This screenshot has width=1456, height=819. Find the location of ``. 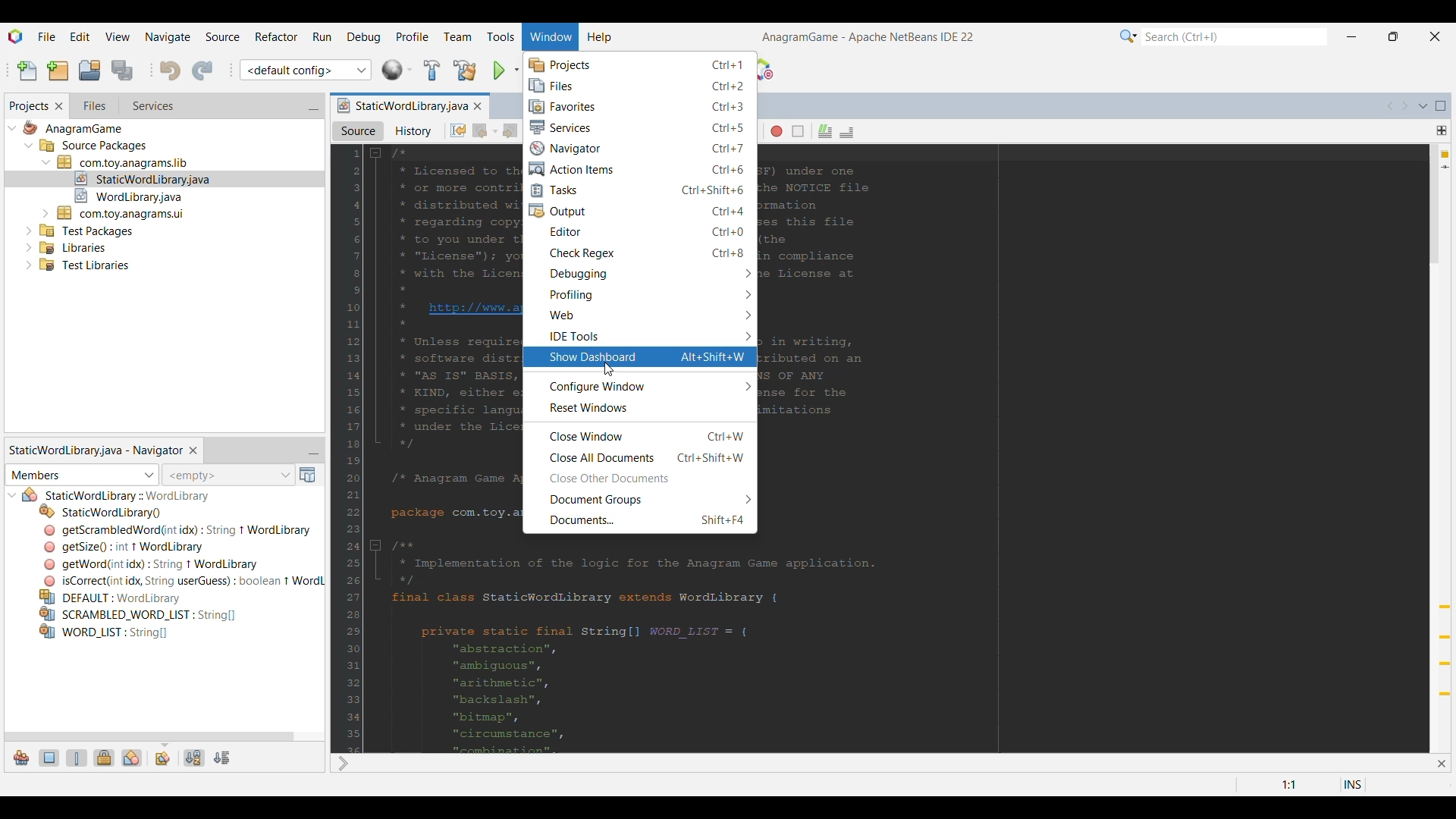

 is located at coordinates (72, 246).